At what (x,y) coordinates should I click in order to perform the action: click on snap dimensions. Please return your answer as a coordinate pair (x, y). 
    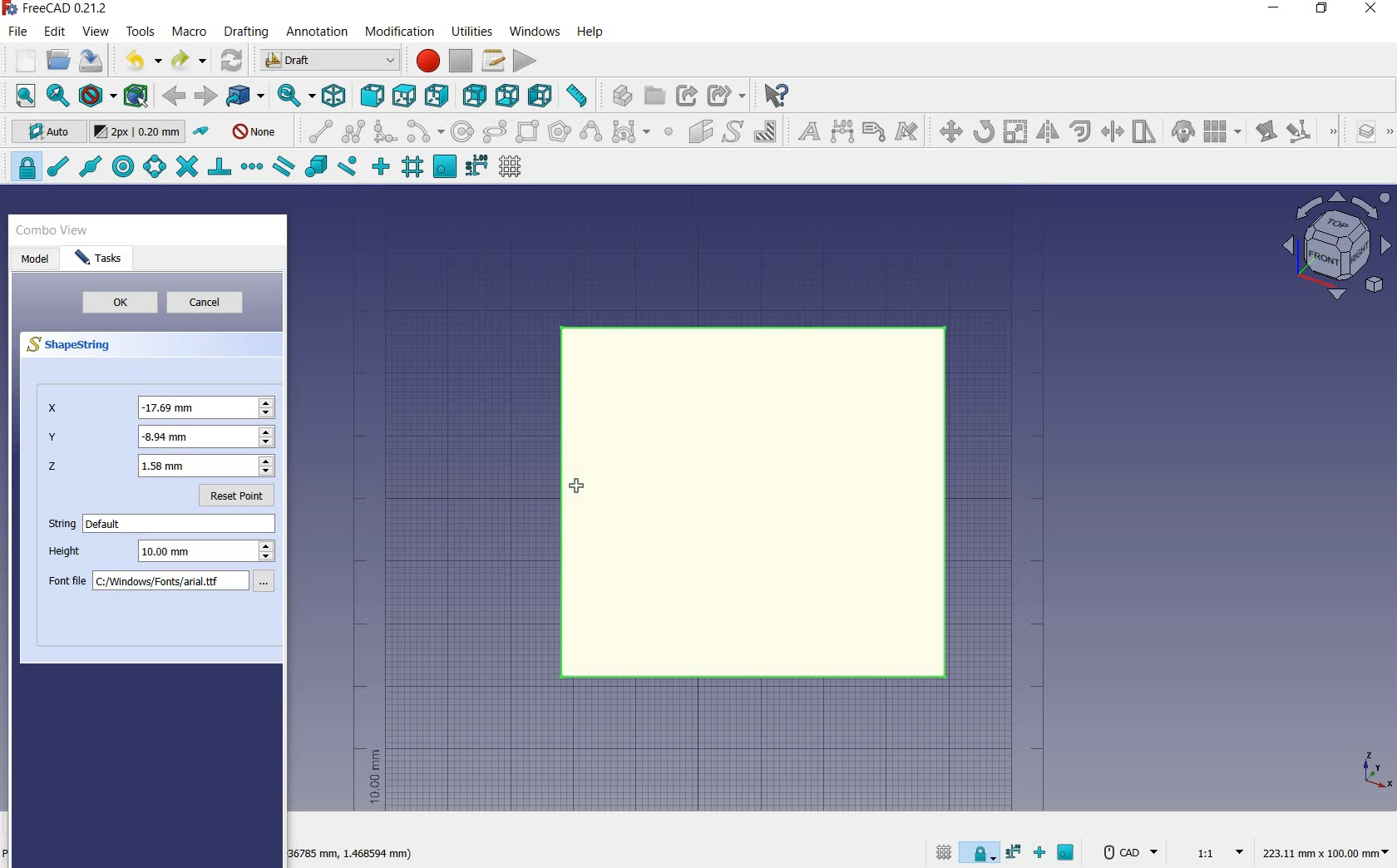
    Looking at the image, I should click on (476, 166).